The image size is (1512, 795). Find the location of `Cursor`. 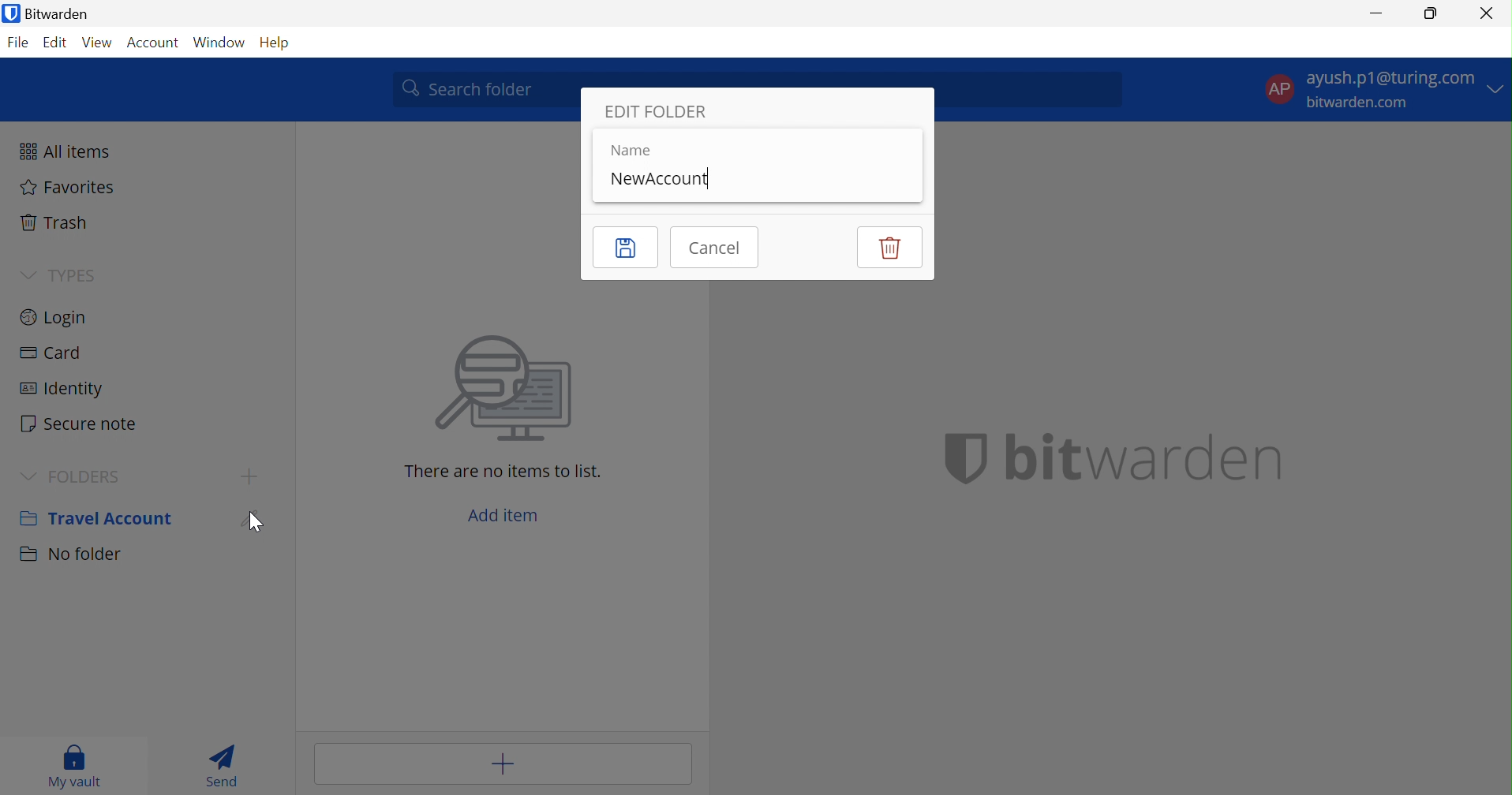

Cursor is located at coordinates (254, 521).